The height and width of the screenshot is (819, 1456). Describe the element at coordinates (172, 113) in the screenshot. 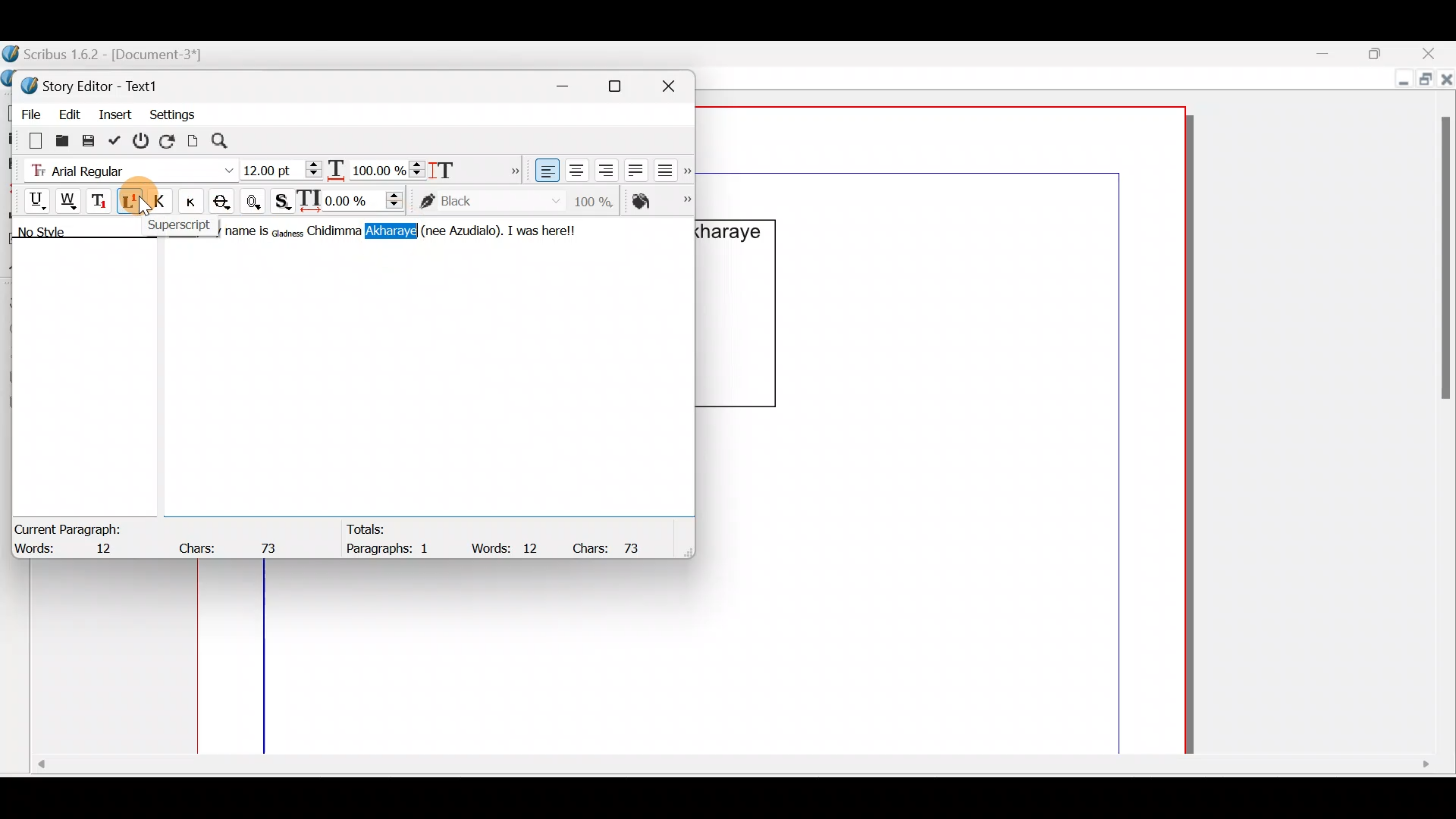

I see `Settings` at that location.